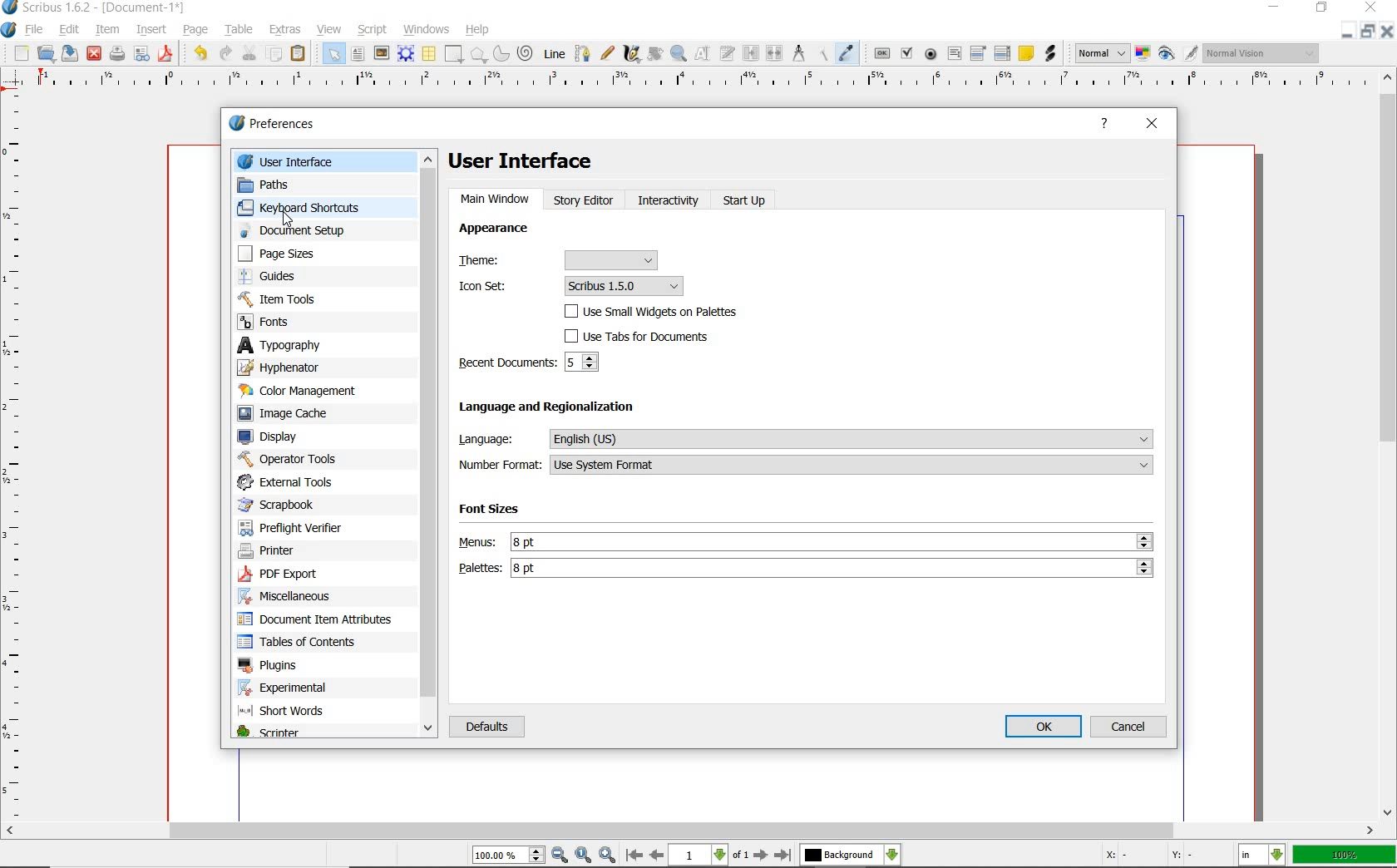 Image resolution: width=1397 pixels, height=868 pixels. Describe the element at coordinates (288, 30) in the screenshot. I see `extras` at that location.